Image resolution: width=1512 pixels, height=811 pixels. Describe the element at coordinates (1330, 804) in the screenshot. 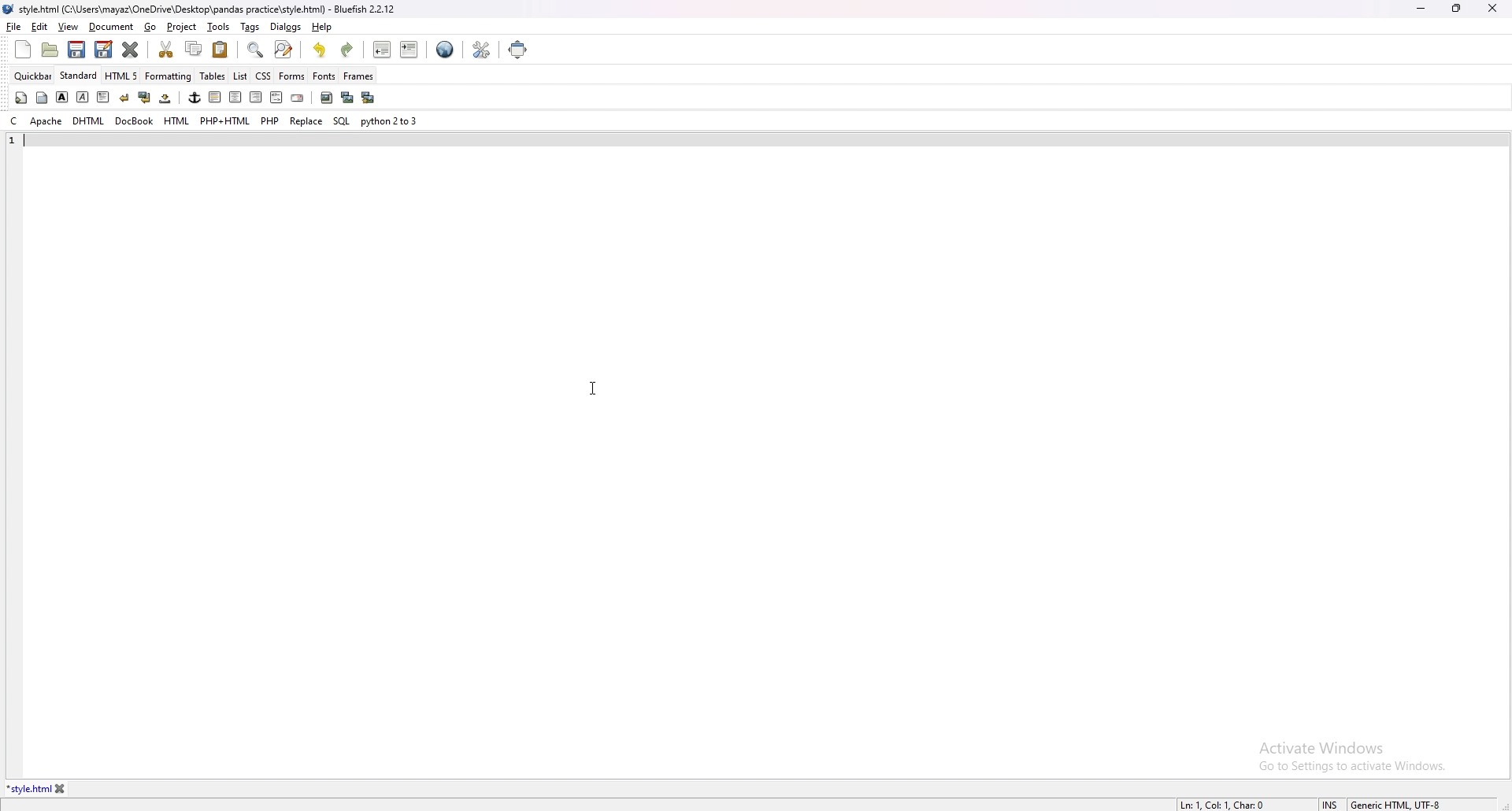

I see `cursor mode` at that location.